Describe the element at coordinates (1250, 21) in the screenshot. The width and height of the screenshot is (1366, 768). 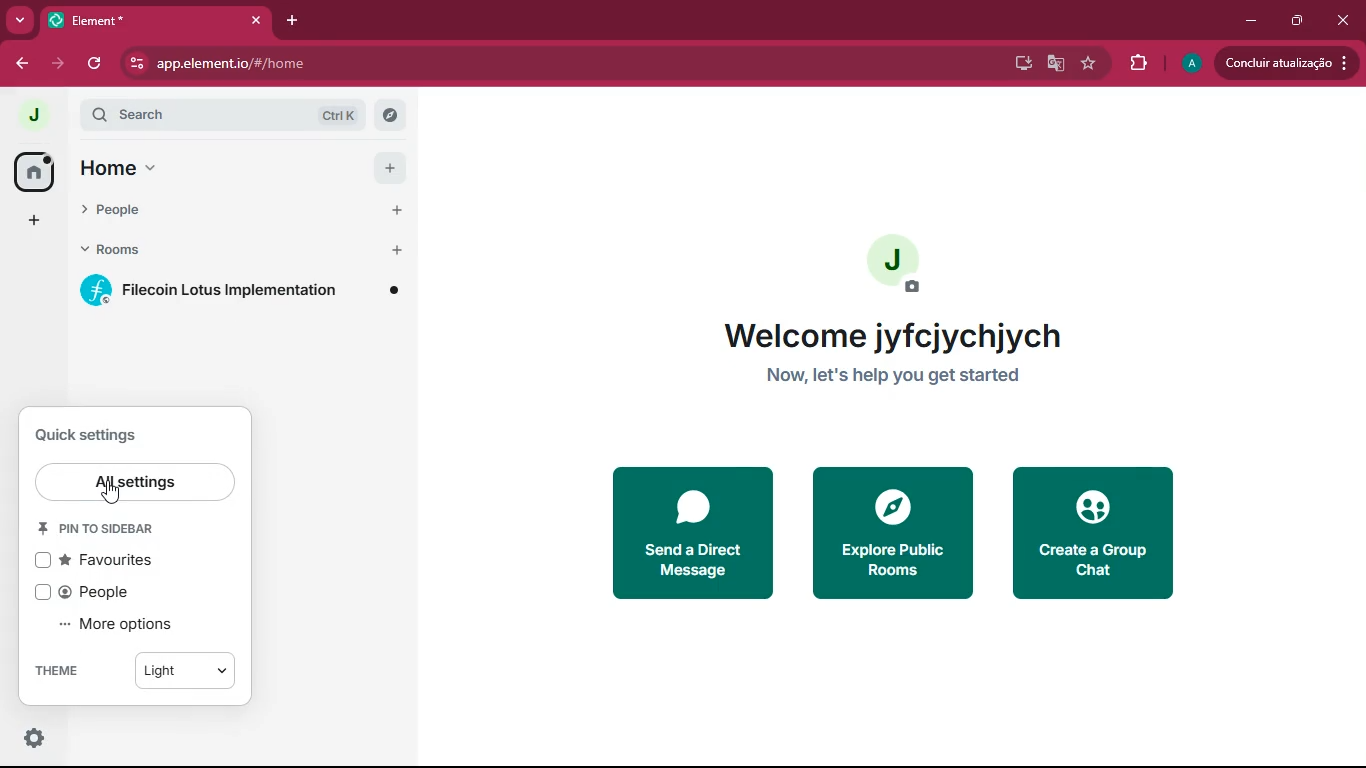
I see `minimize` at that location.